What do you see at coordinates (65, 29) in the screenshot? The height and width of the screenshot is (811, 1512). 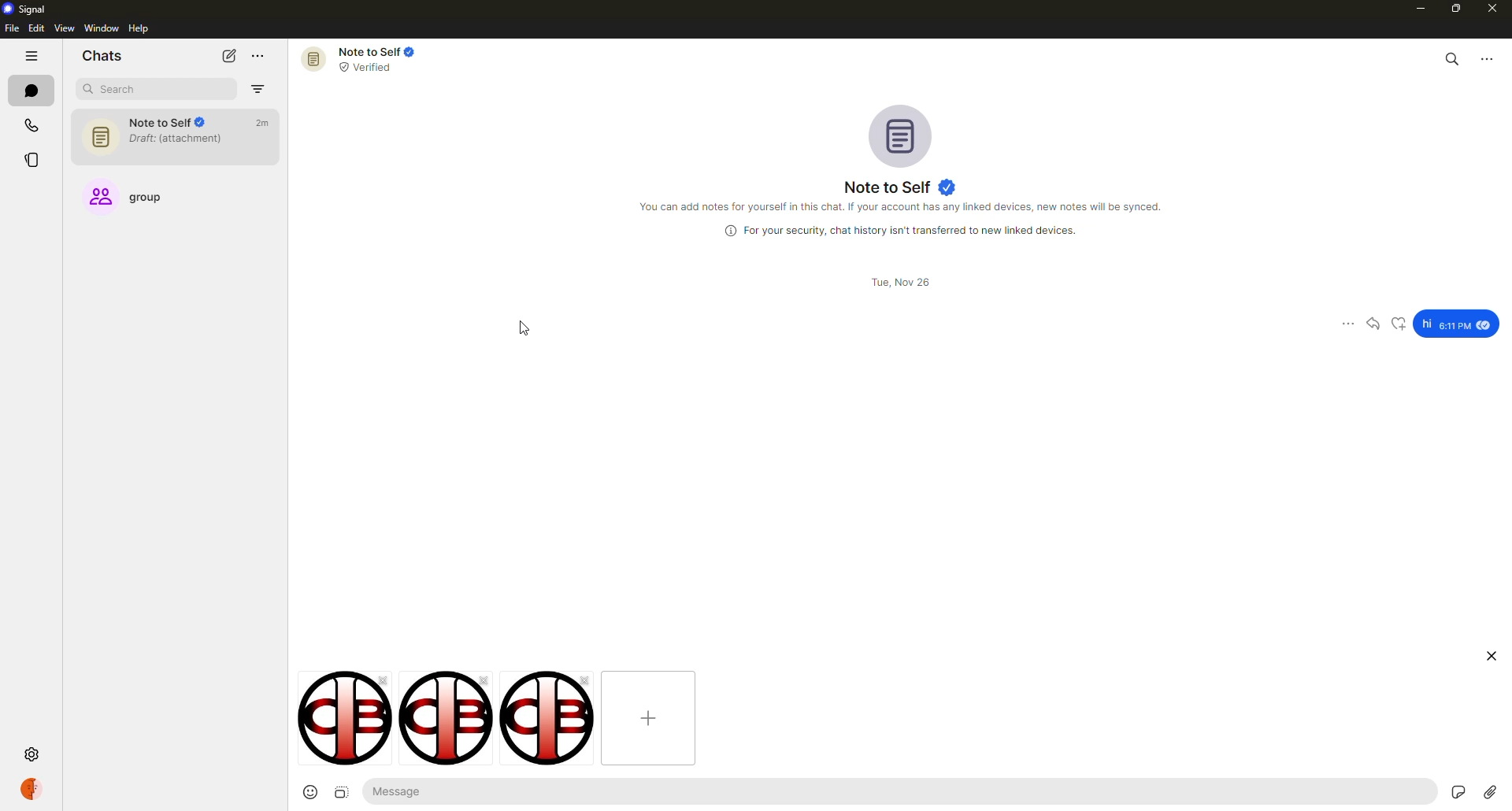 I see `view` at bounding box center [65, 29].